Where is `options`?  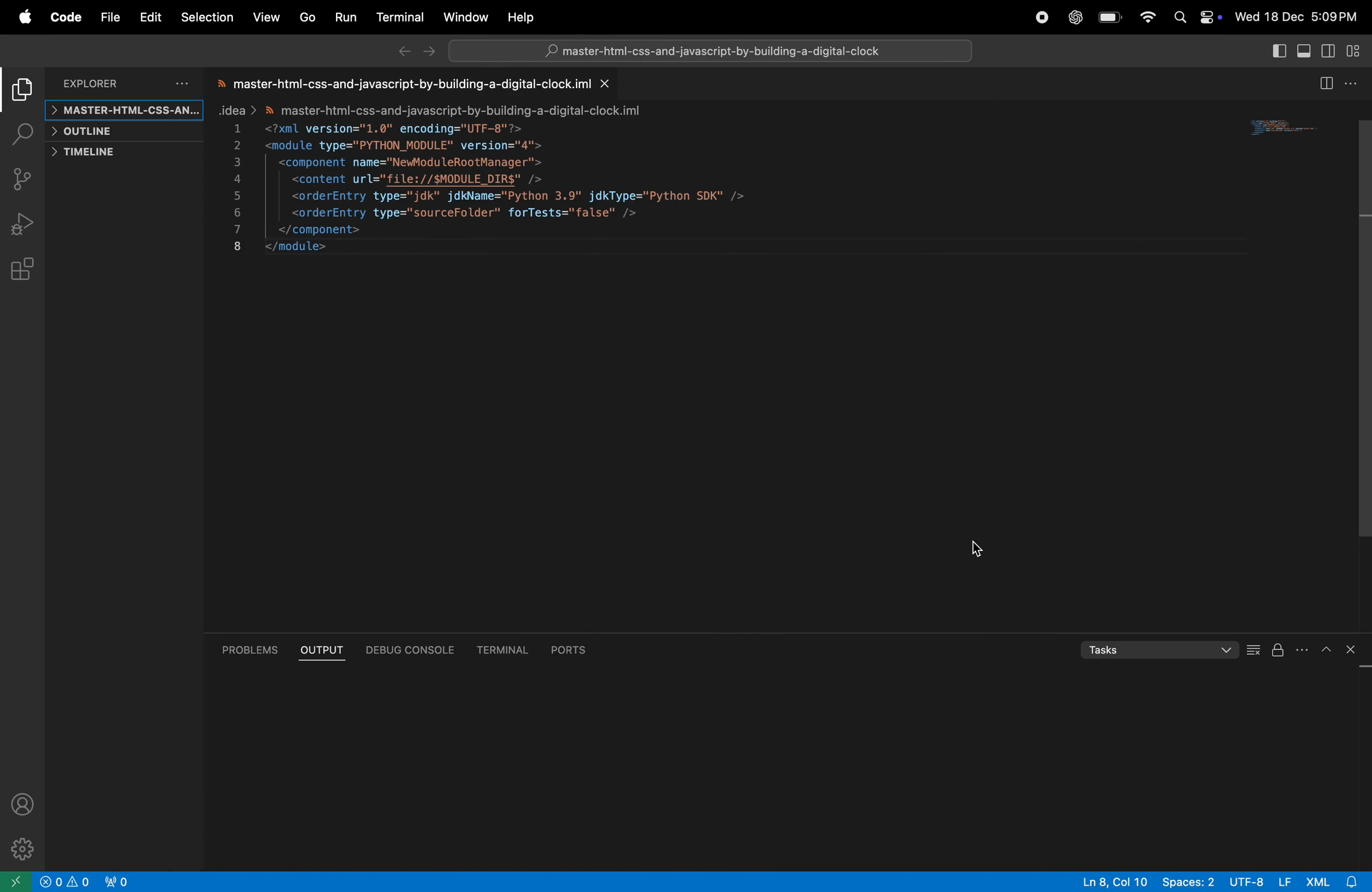 options is located at coordinates (1354, 84).